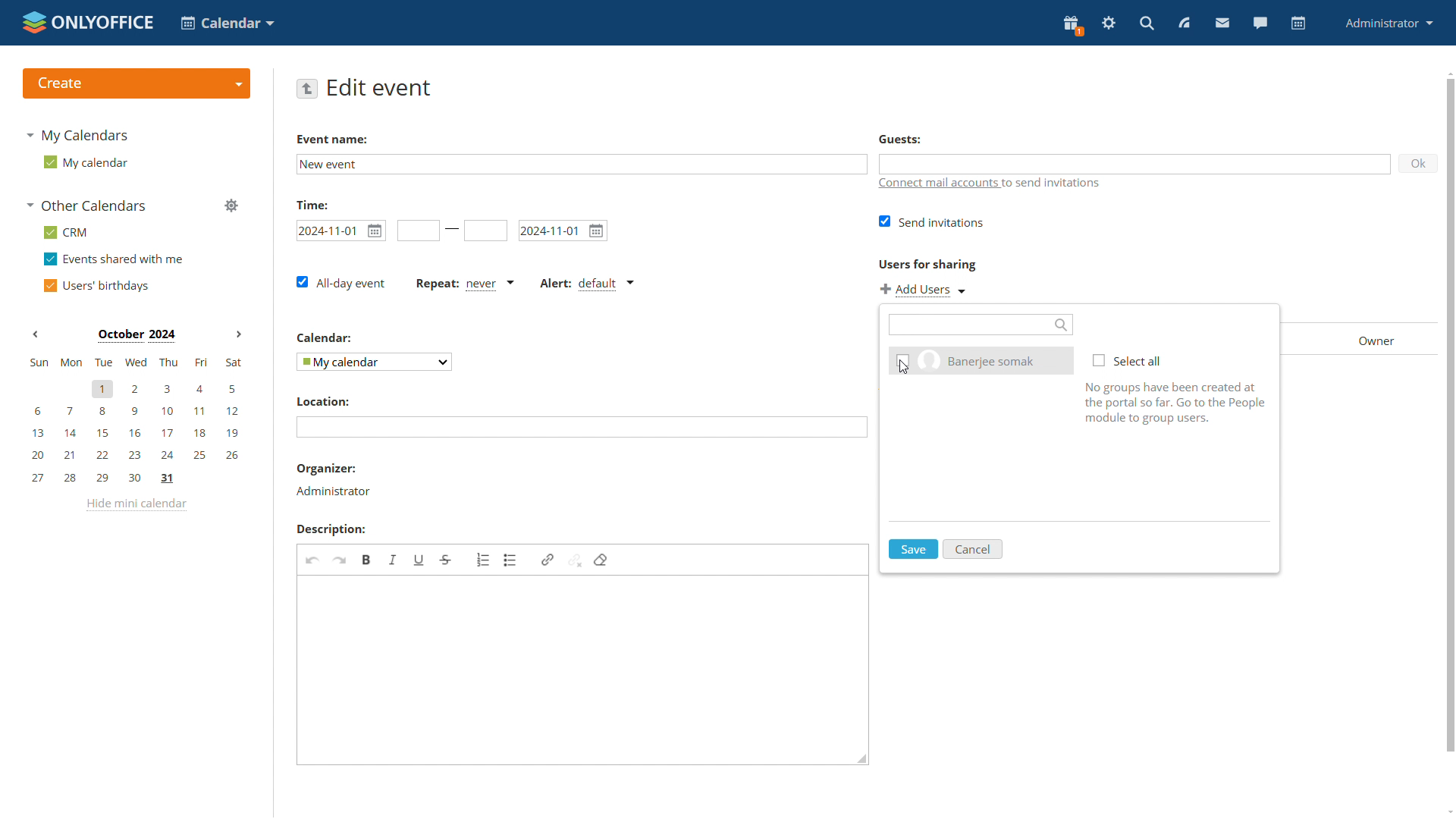 The width and height of the screenshot is (1456, 819). I want to click on logo, so click(88, 21).